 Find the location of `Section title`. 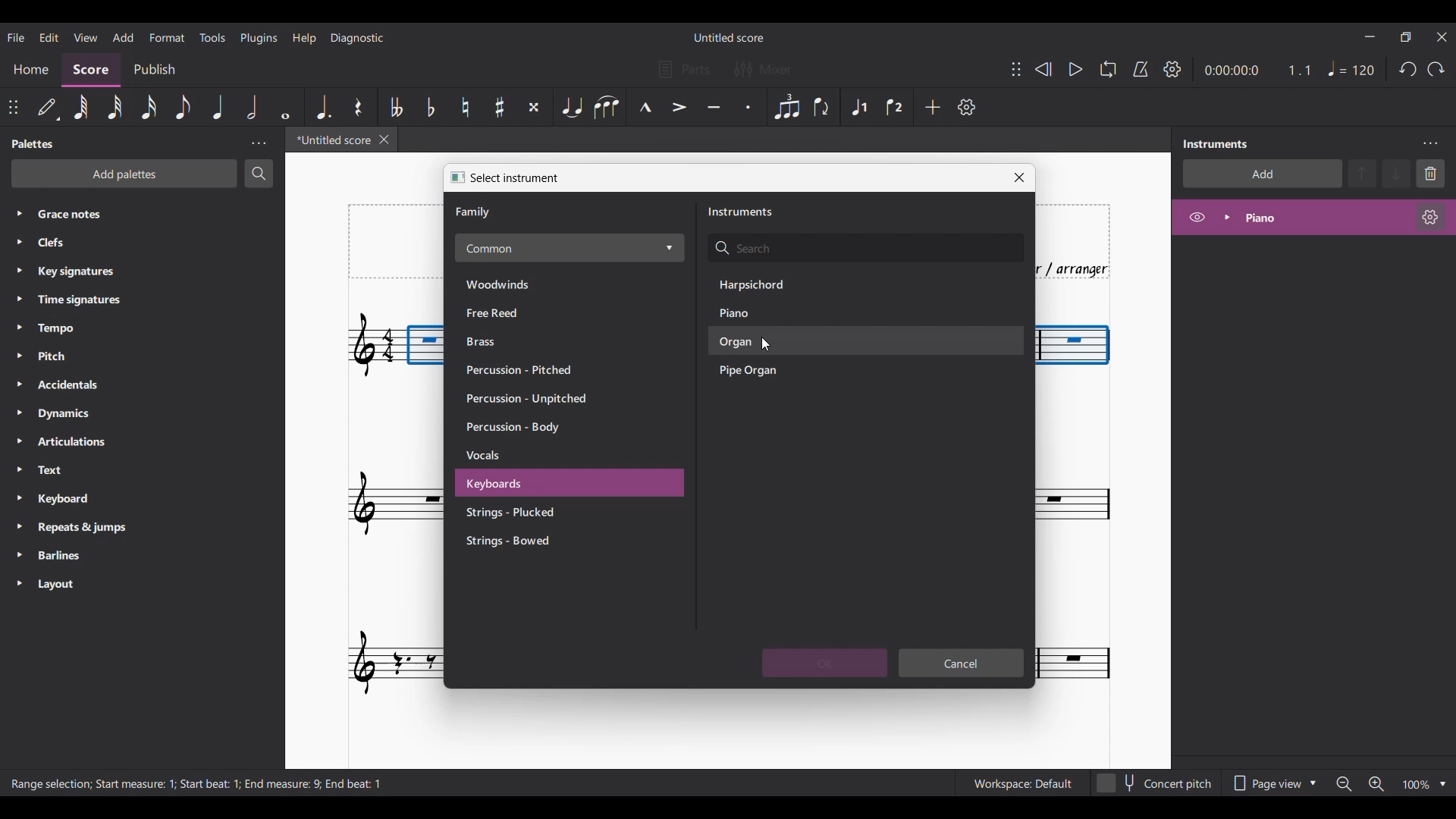

Section title is located at coordinates (475, 212).